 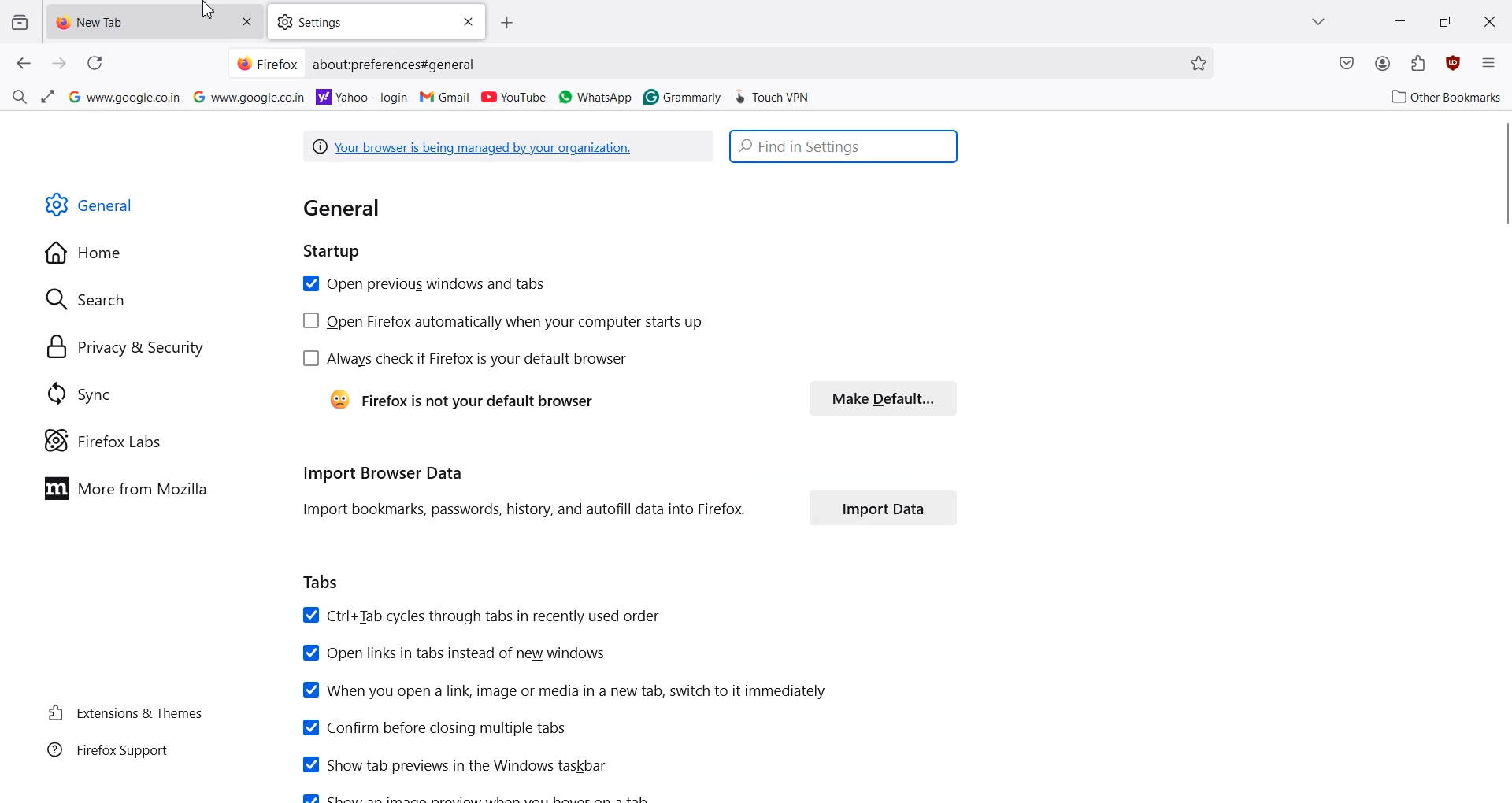 What do you see at coordinates (94, 63) in the screenshot?
I see `Refresh` at bounding box center [94, 63].